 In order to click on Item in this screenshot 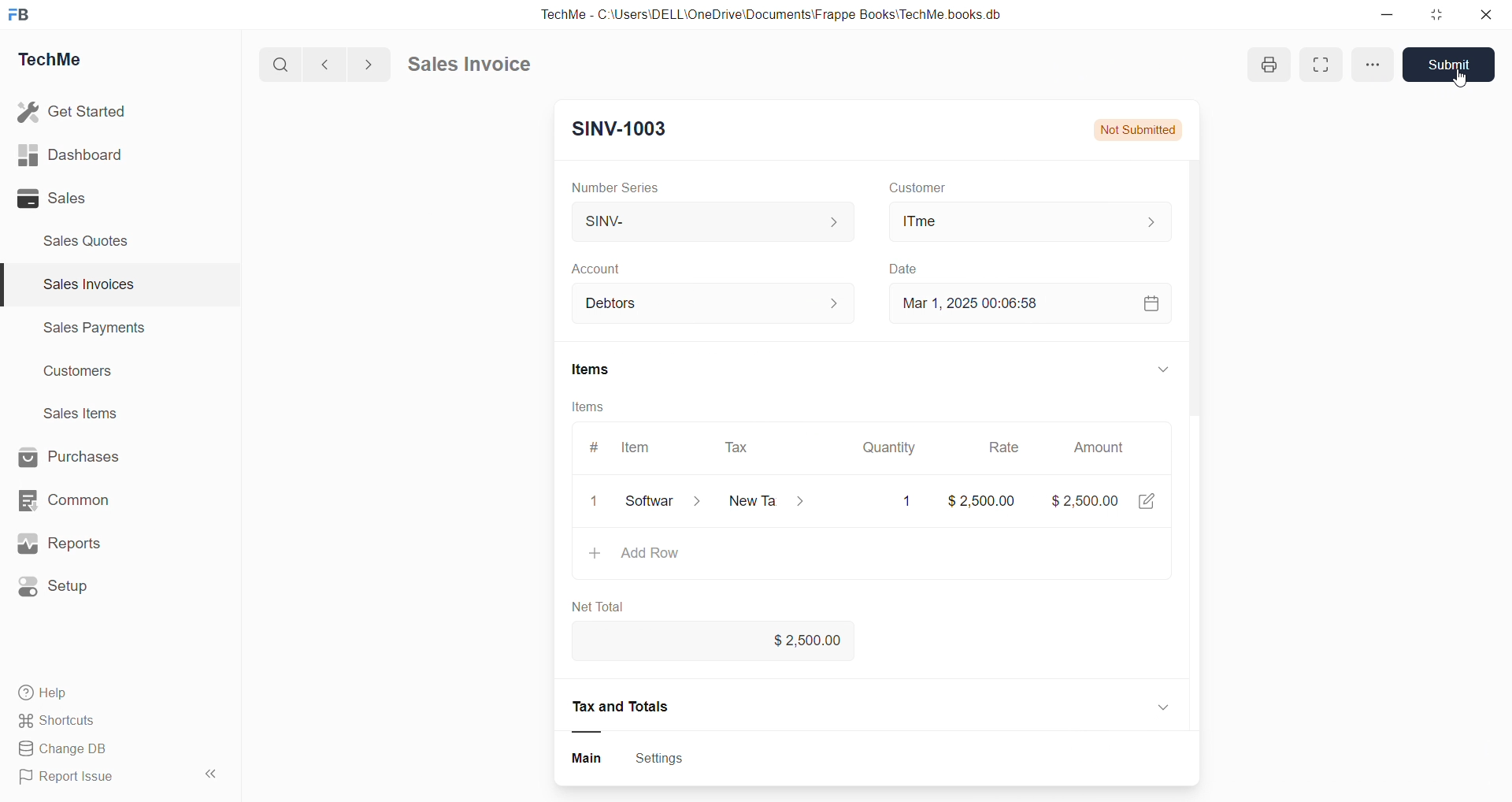, I will do `click(643, 447)`.